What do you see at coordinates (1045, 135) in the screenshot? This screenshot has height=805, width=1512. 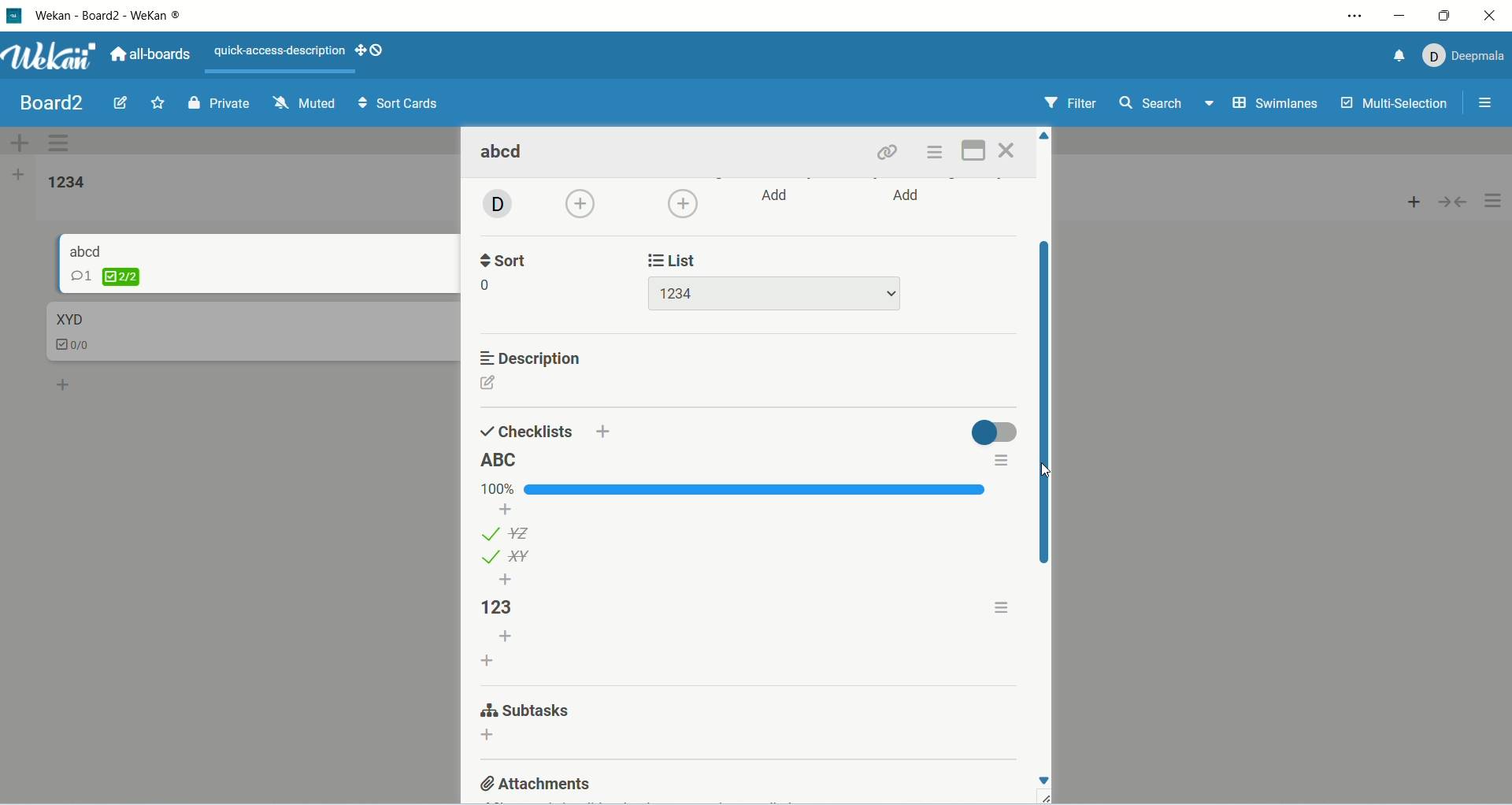 I see `Up` at bounding box center [1045, 135].